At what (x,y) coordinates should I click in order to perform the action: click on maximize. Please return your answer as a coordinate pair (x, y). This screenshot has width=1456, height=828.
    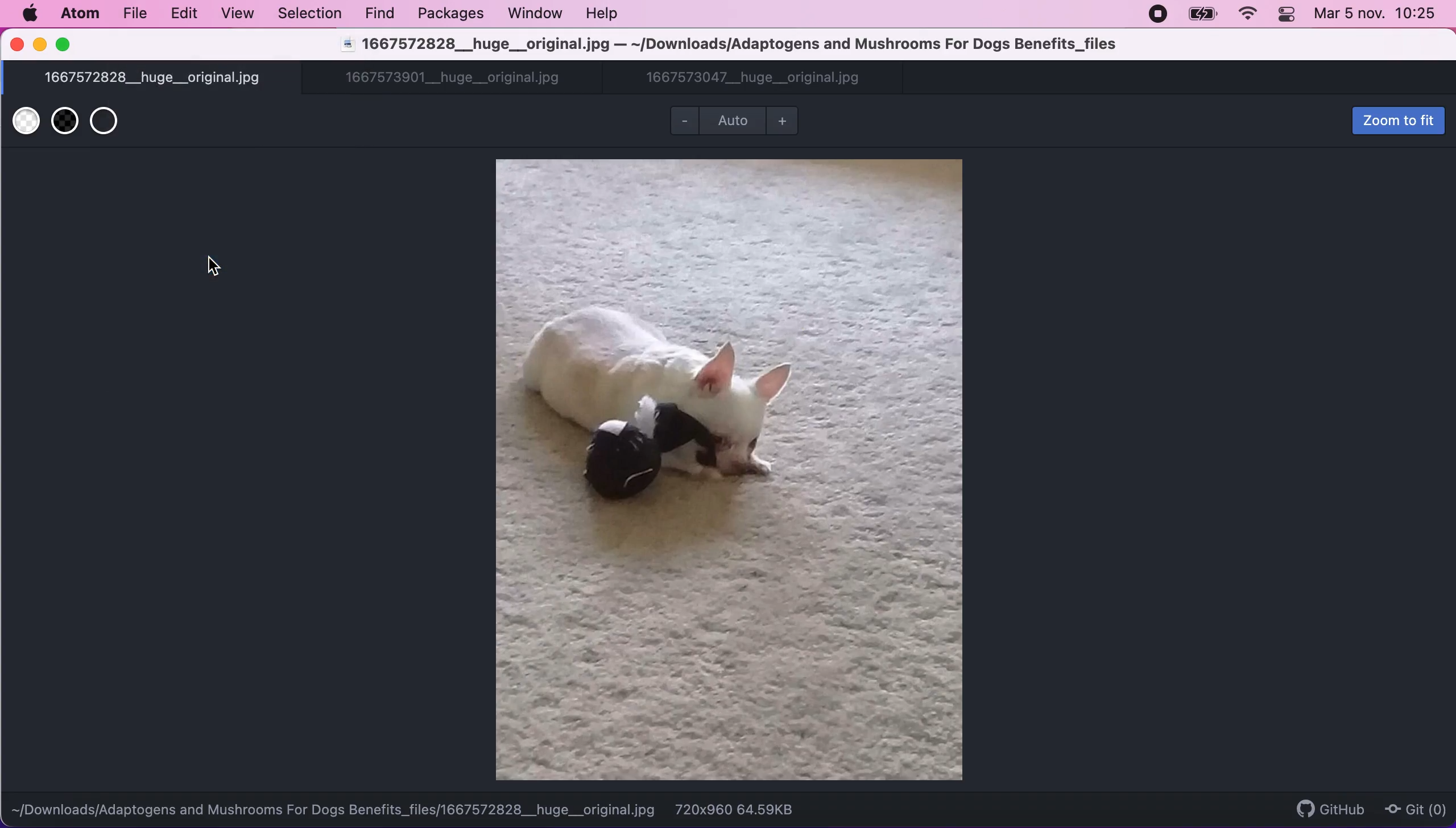
    Looking at the image, I should click on (68, 45).